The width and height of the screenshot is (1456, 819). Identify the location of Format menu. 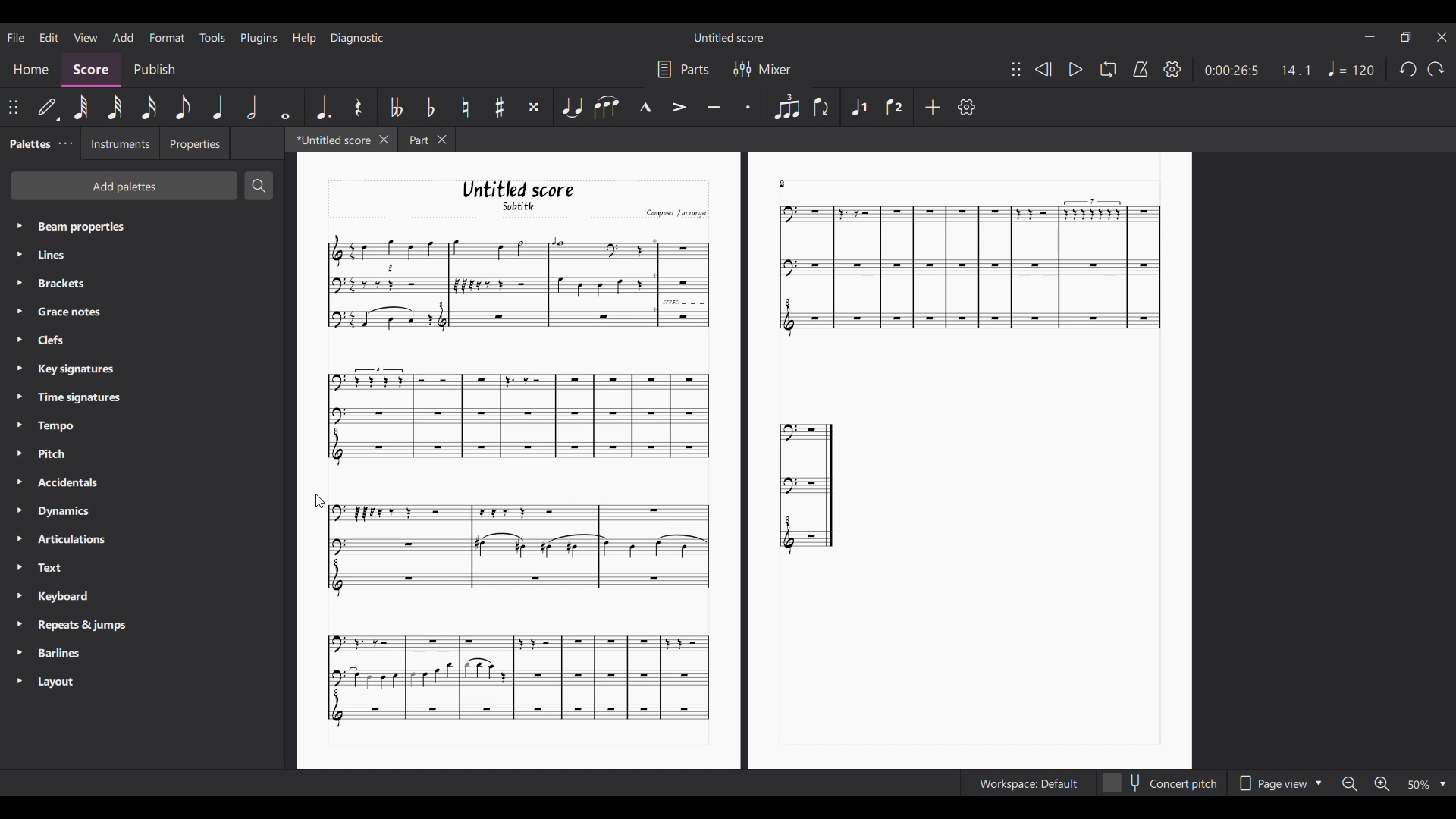
(167, 38).